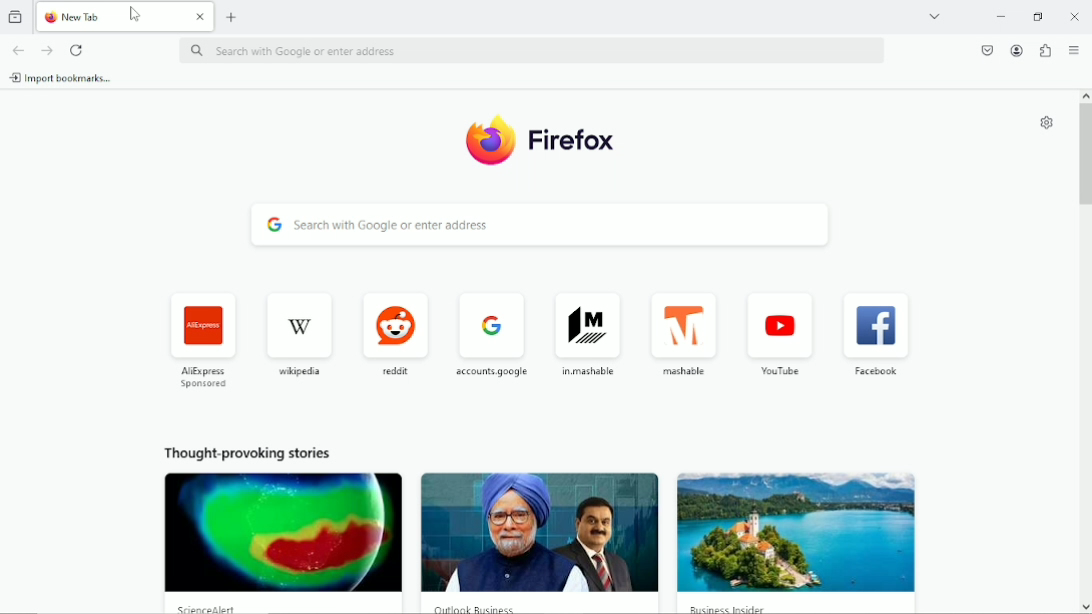 The height and width of the screenshot is (614, 1092). What do you see at coordinates (59, 78) in the screenshot?
I see `import bookmarks` at bounding box center [59, 78].